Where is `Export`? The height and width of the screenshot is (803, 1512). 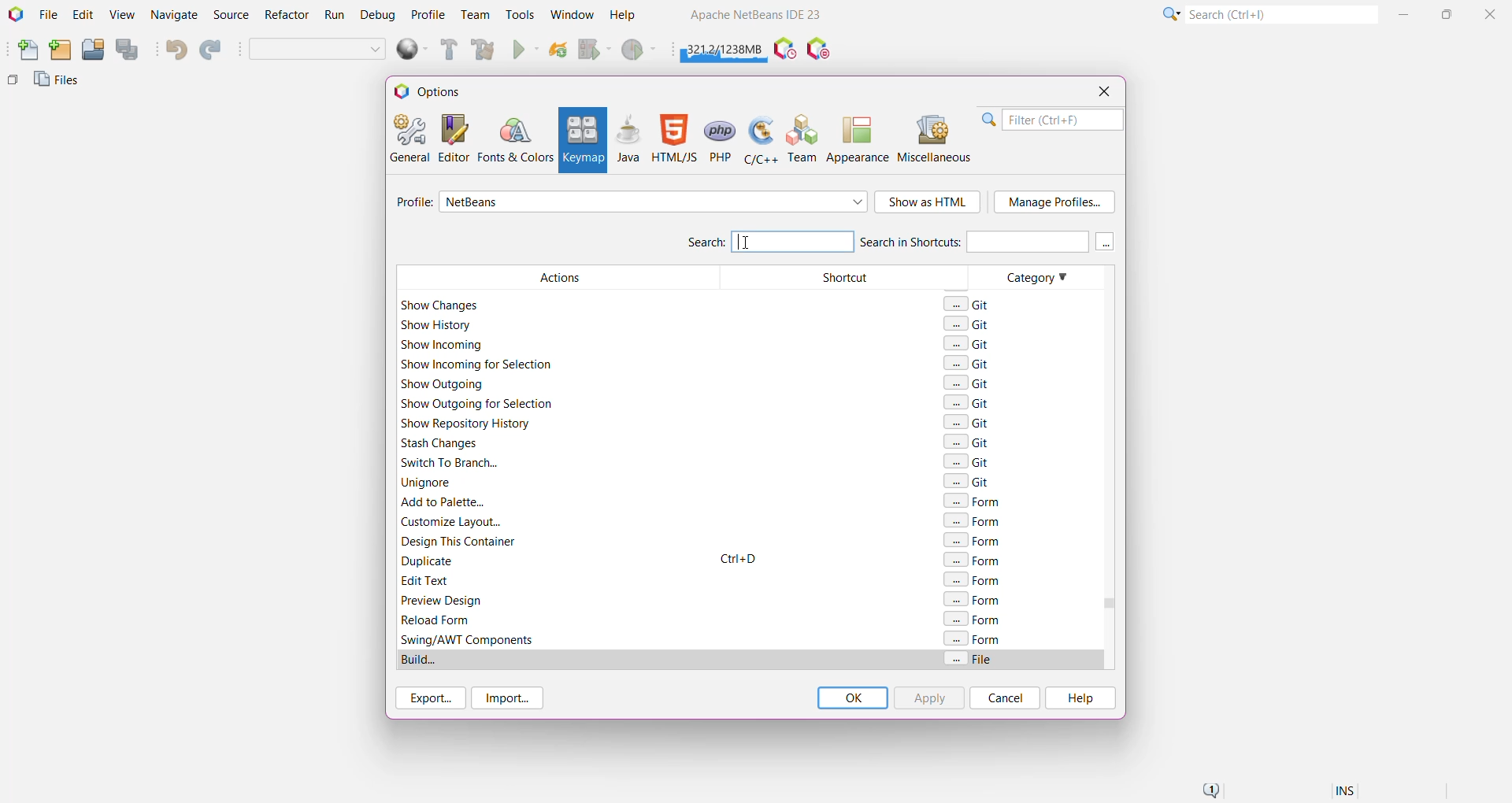
Export is located at coordinates (428, 698).